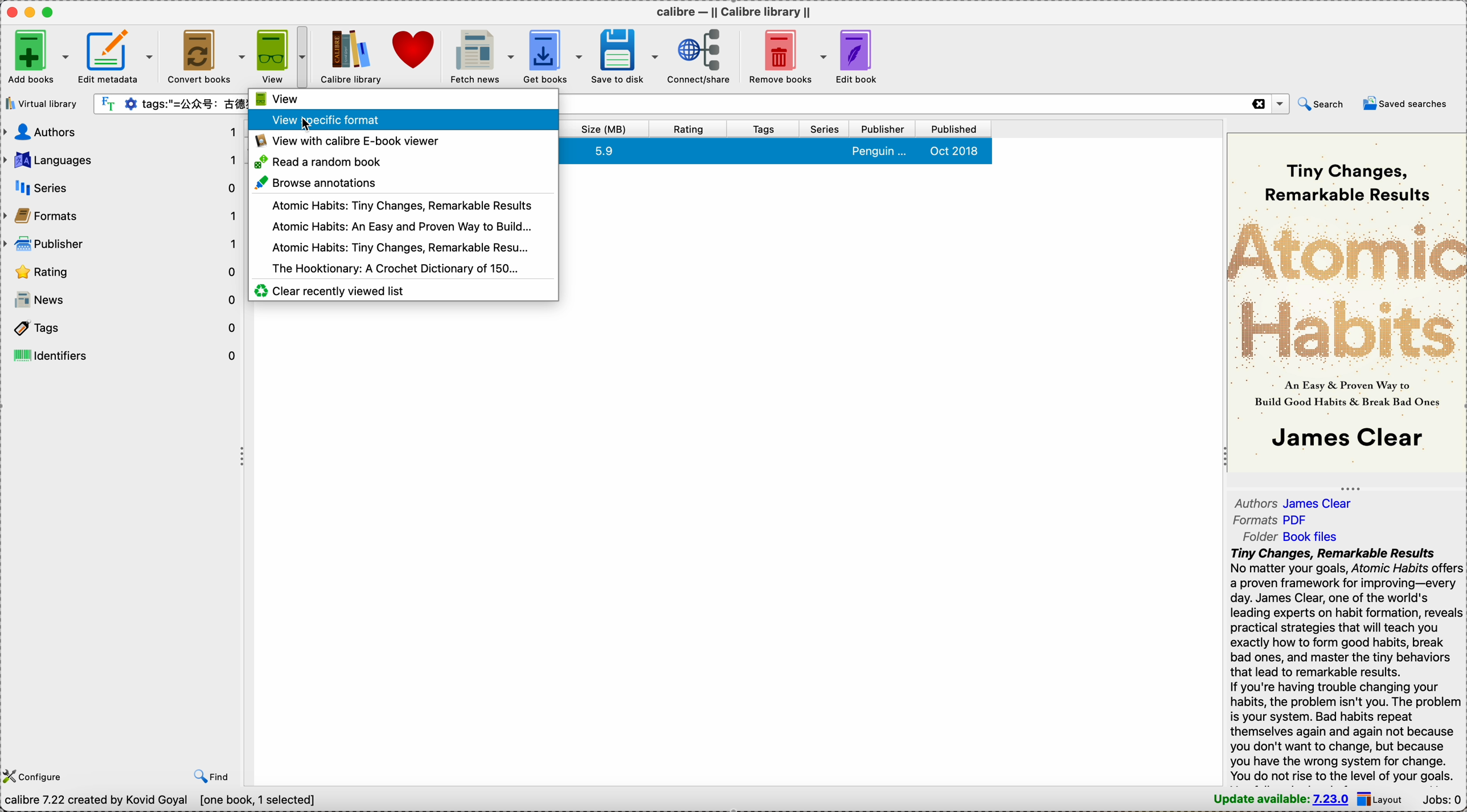  What do you see at coordinates (49, 12) in the screenshot?
I see `maximize` at bounding box center [49, 12].